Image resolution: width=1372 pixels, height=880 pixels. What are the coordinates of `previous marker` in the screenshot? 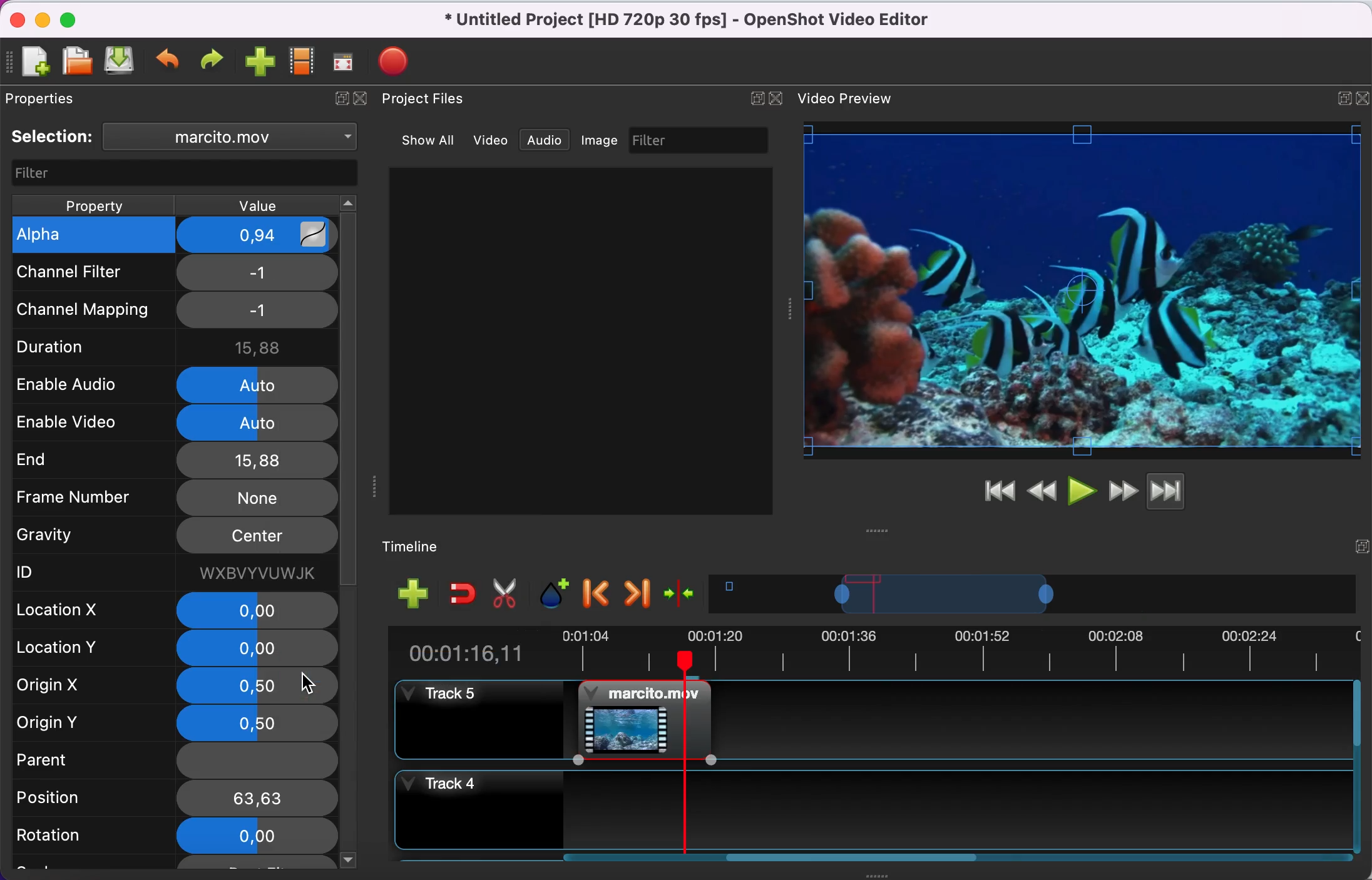 It's located at (597, 595).